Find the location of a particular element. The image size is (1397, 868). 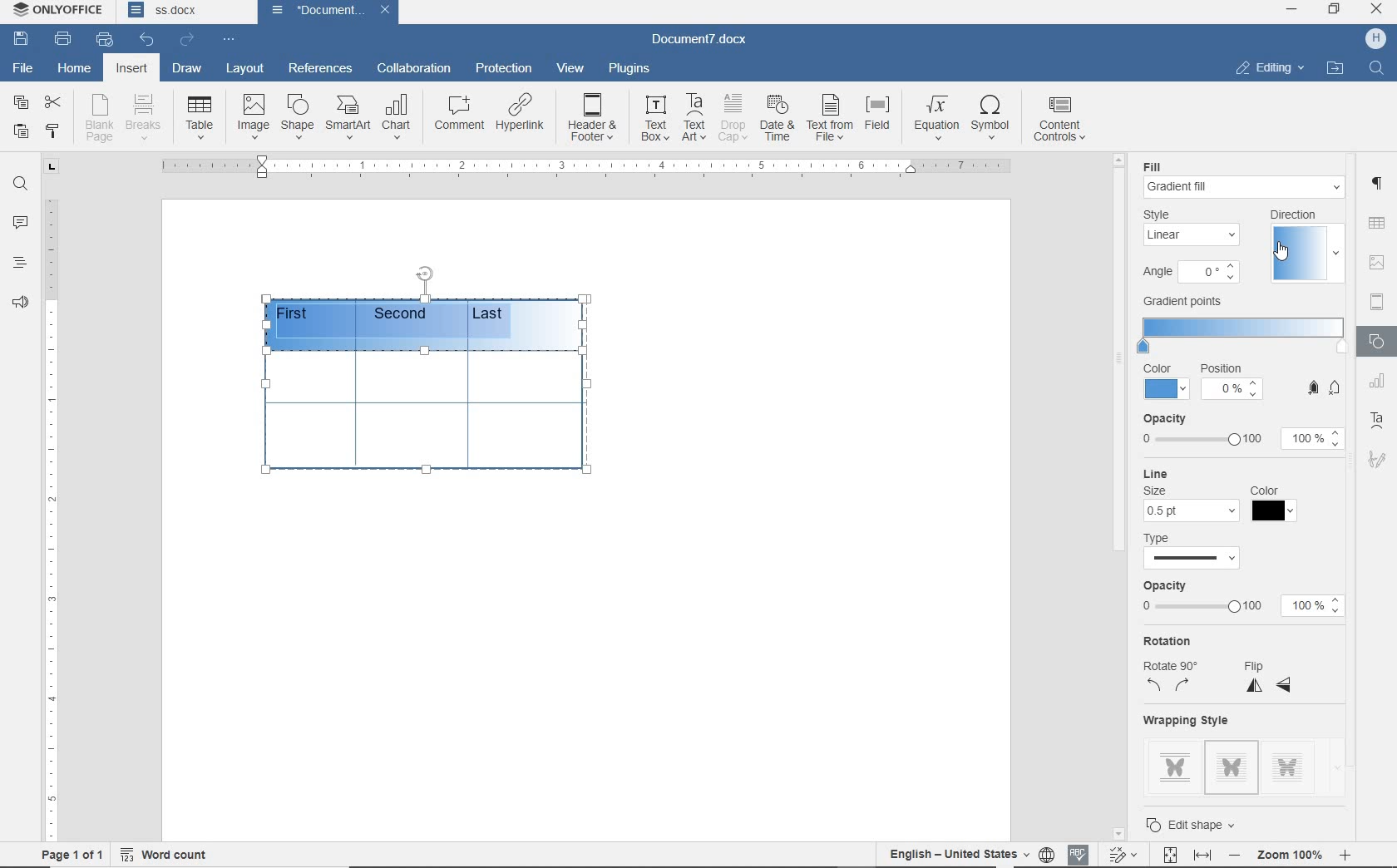

rotate 90 degree is located at coordinates (1182, 678).